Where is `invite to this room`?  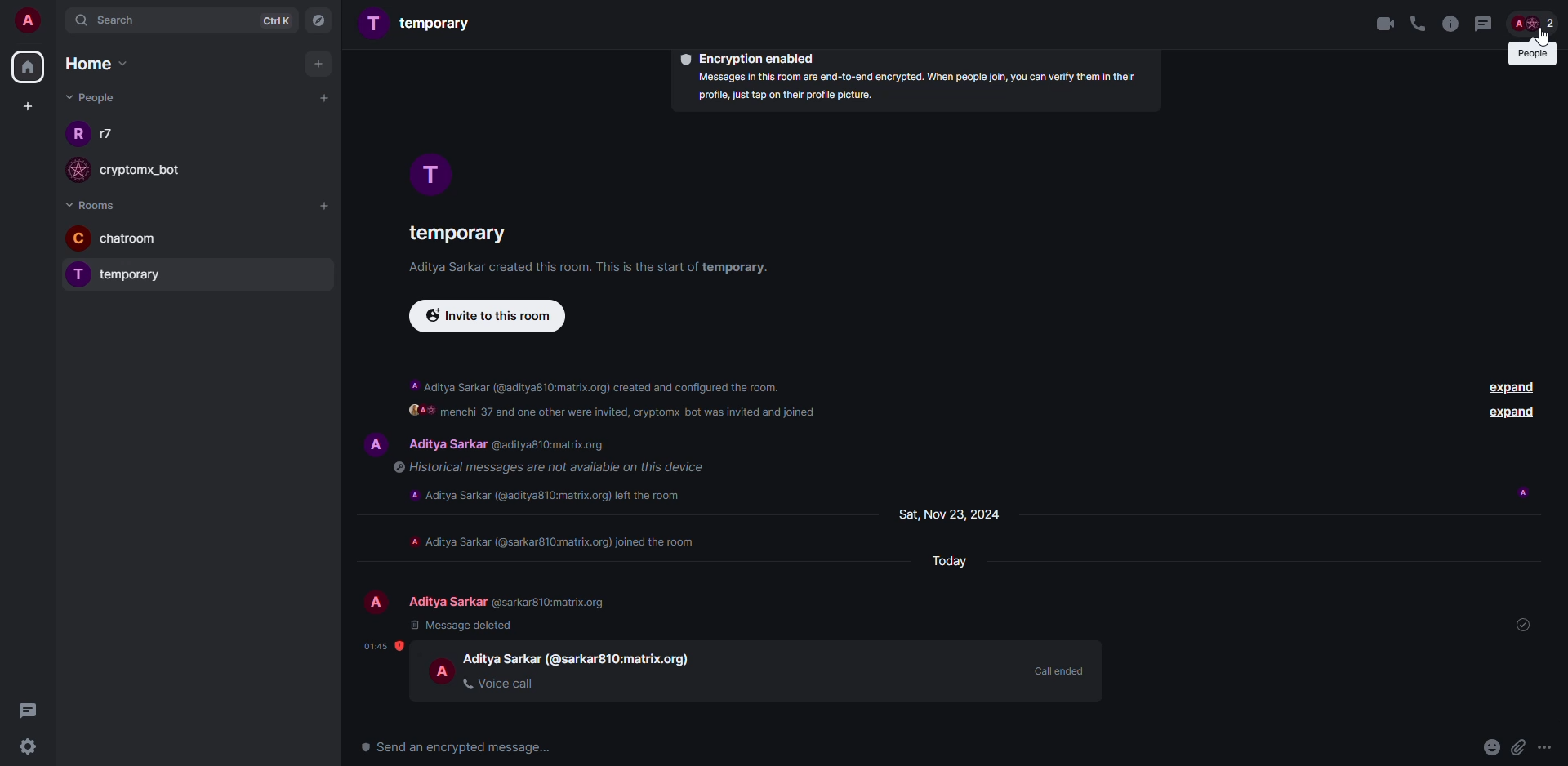
invite to this room is located at coordinates (491, 317).